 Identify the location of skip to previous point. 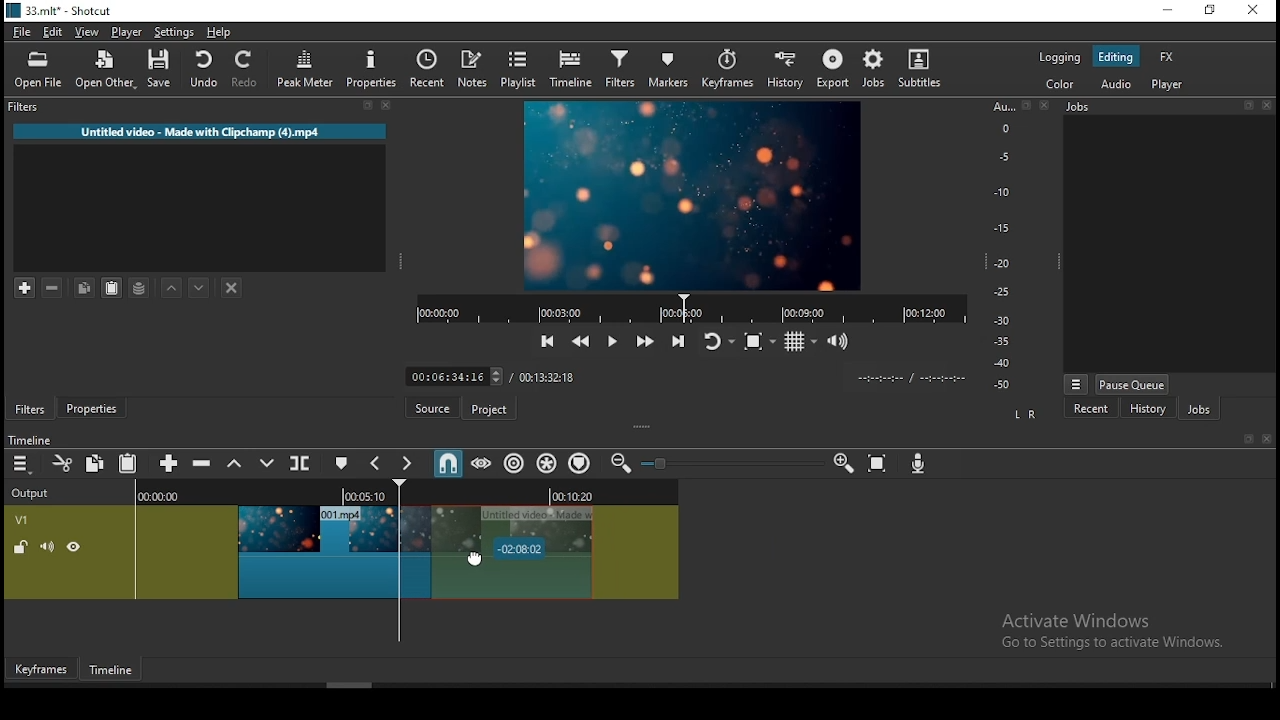
(545, 342).